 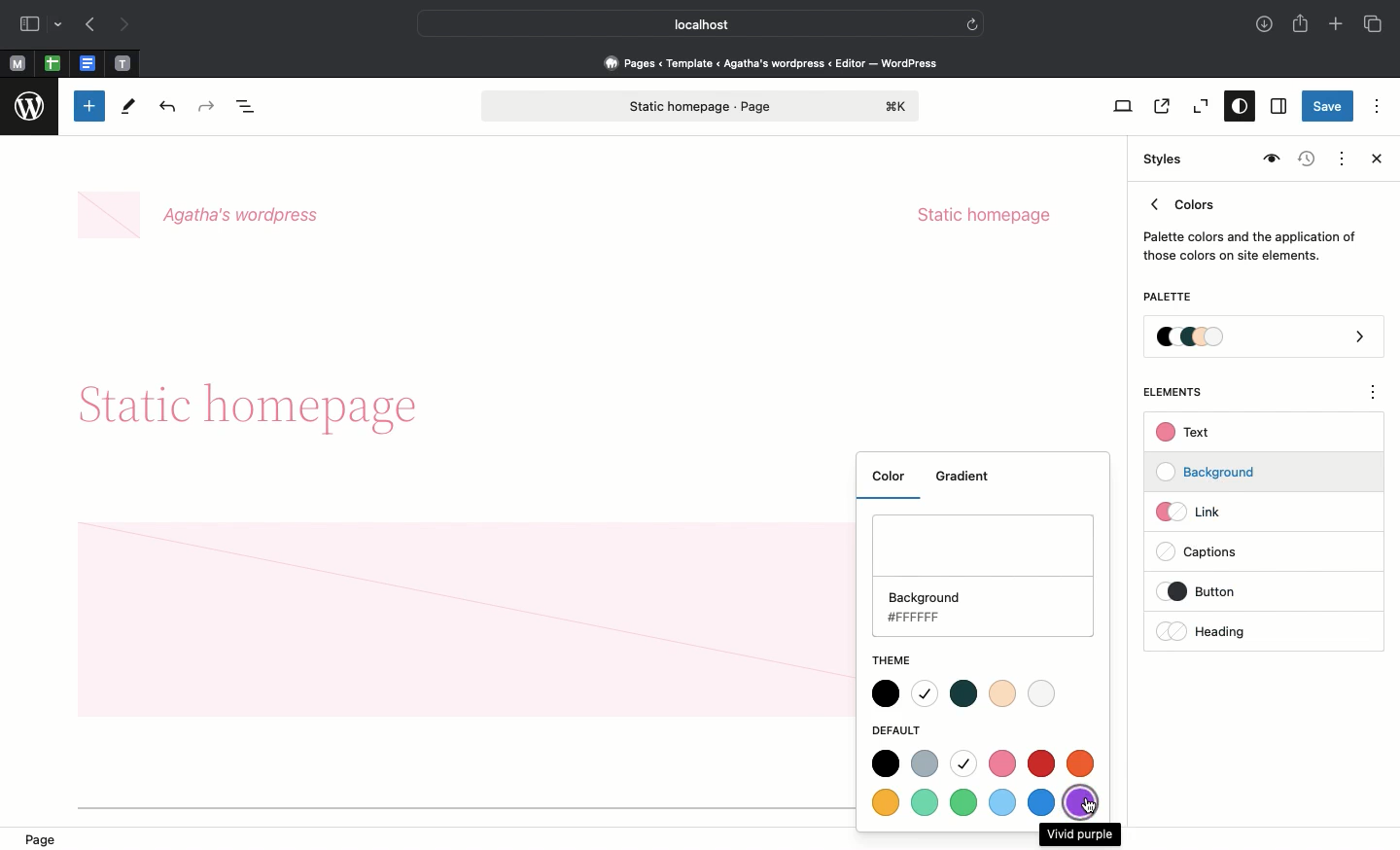 I want to click on Redo, so click(x=209, y=107).